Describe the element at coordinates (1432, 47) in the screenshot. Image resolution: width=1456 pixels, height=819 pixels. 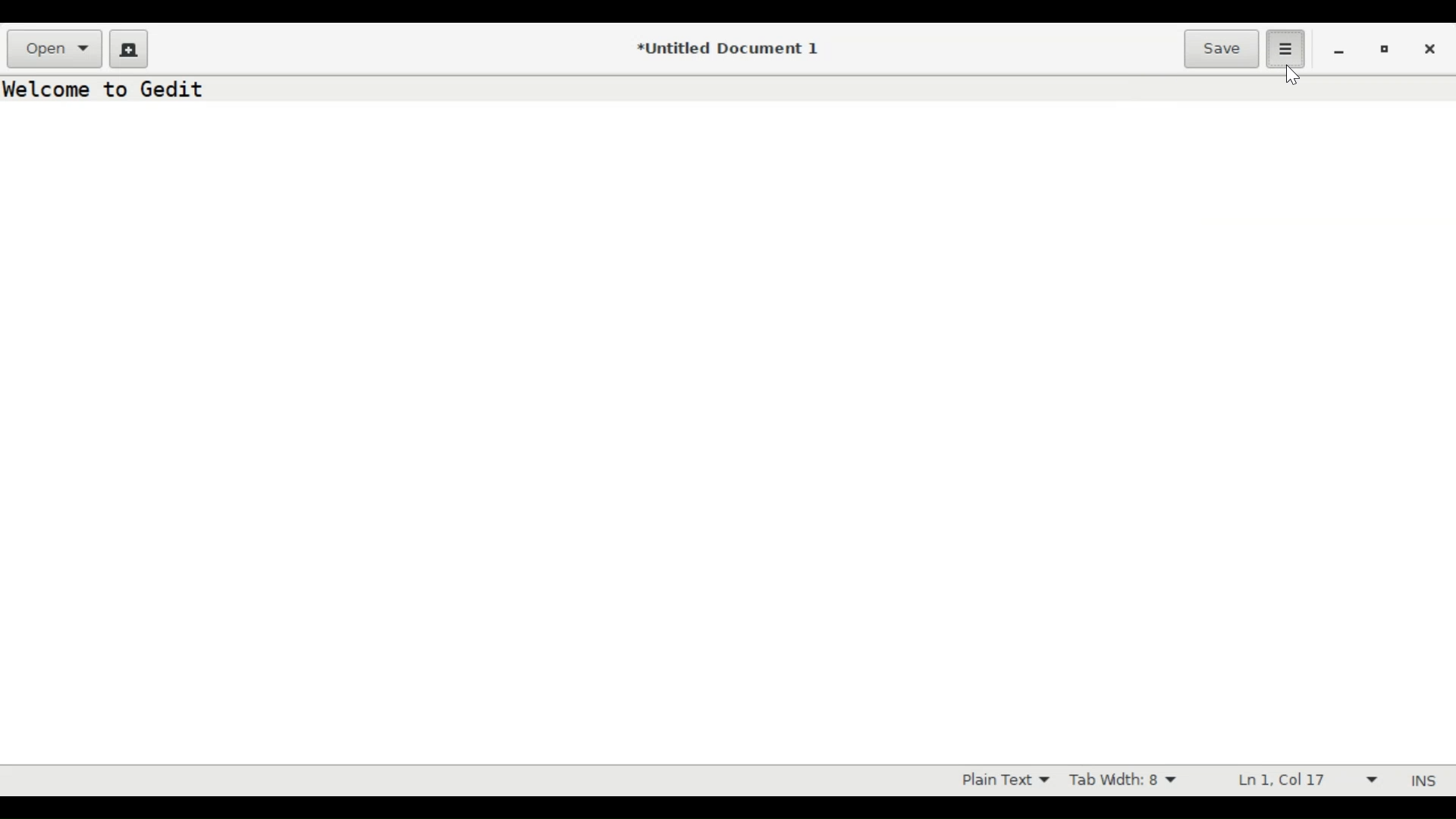
I see `Close` at that location.